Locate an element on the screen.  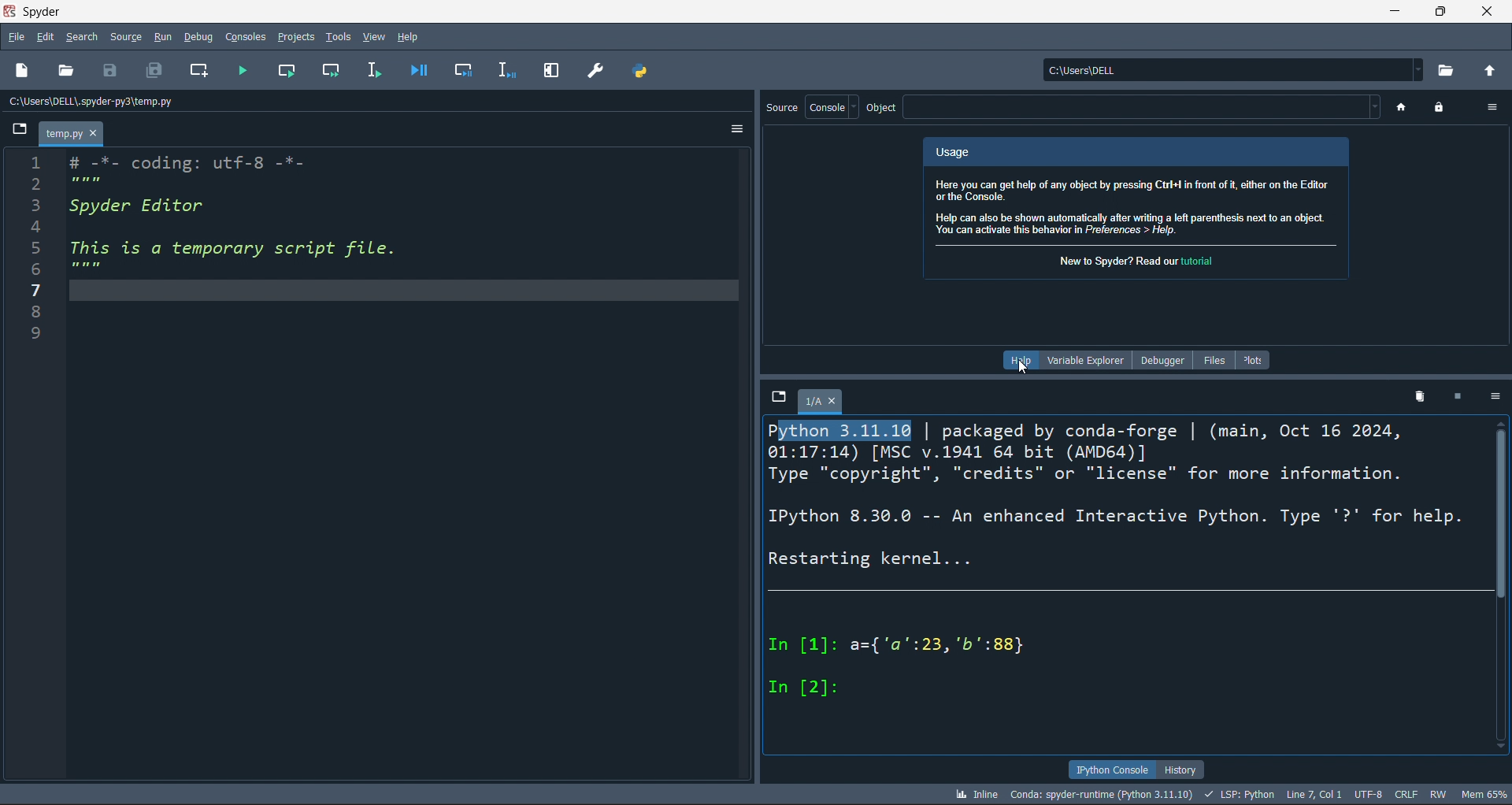
close is located at coordinates (1490, 12).